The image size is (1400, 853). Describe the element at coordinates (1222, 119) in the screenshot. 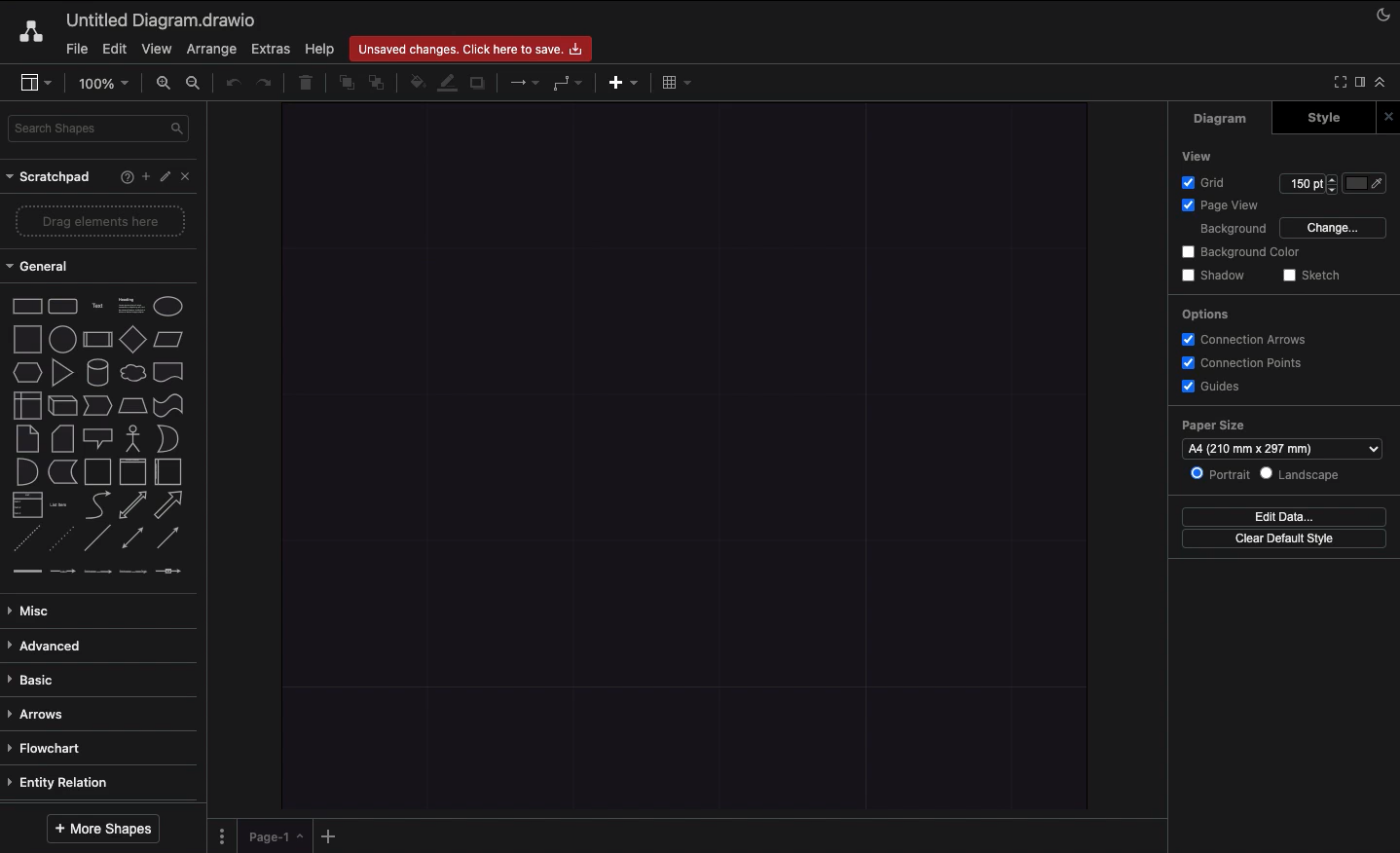

I see `Diagram` at that location.